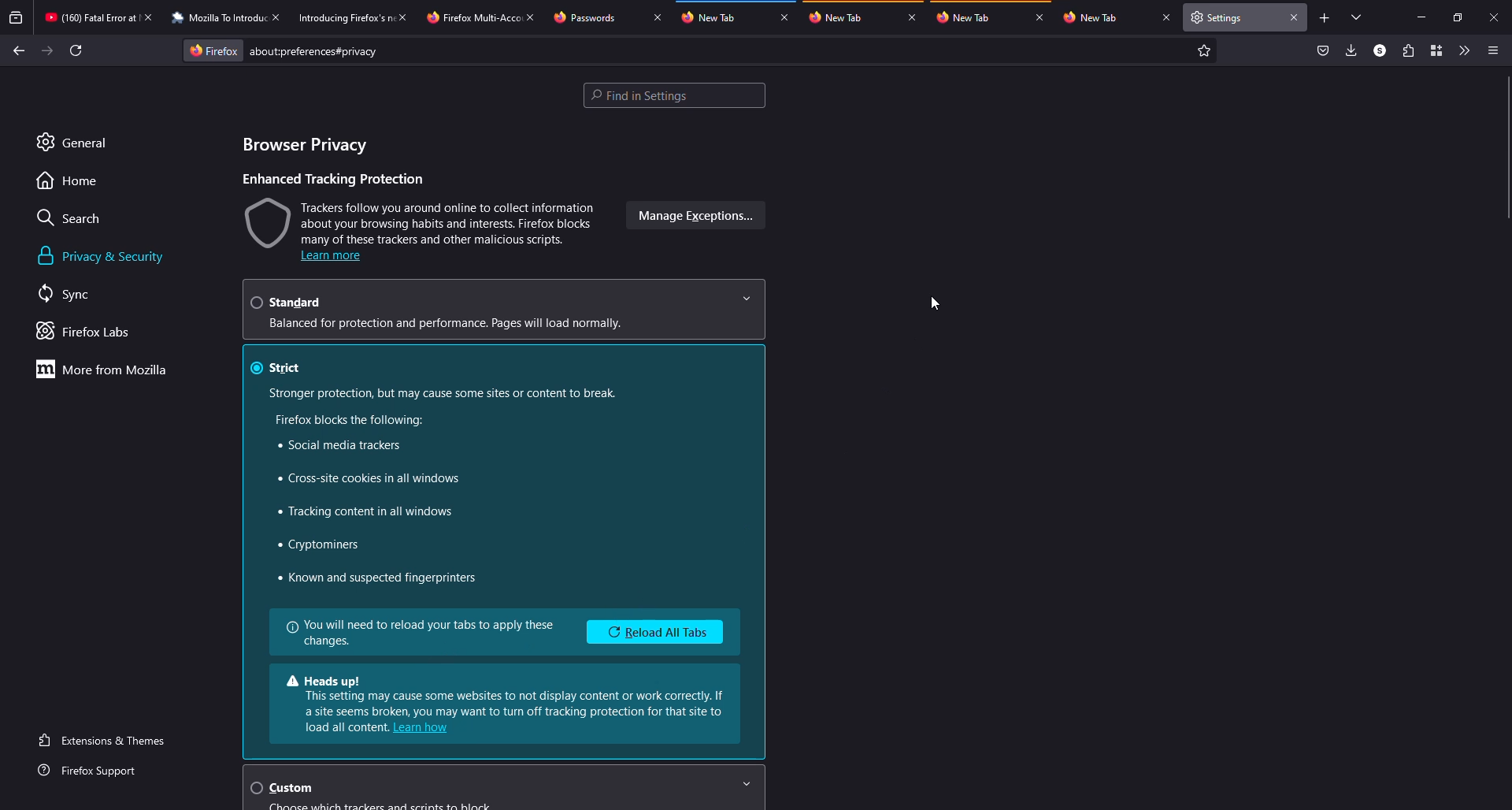  Describe the element at coordinates (1091, 17) in the screenshot. I see `tab` at that location.